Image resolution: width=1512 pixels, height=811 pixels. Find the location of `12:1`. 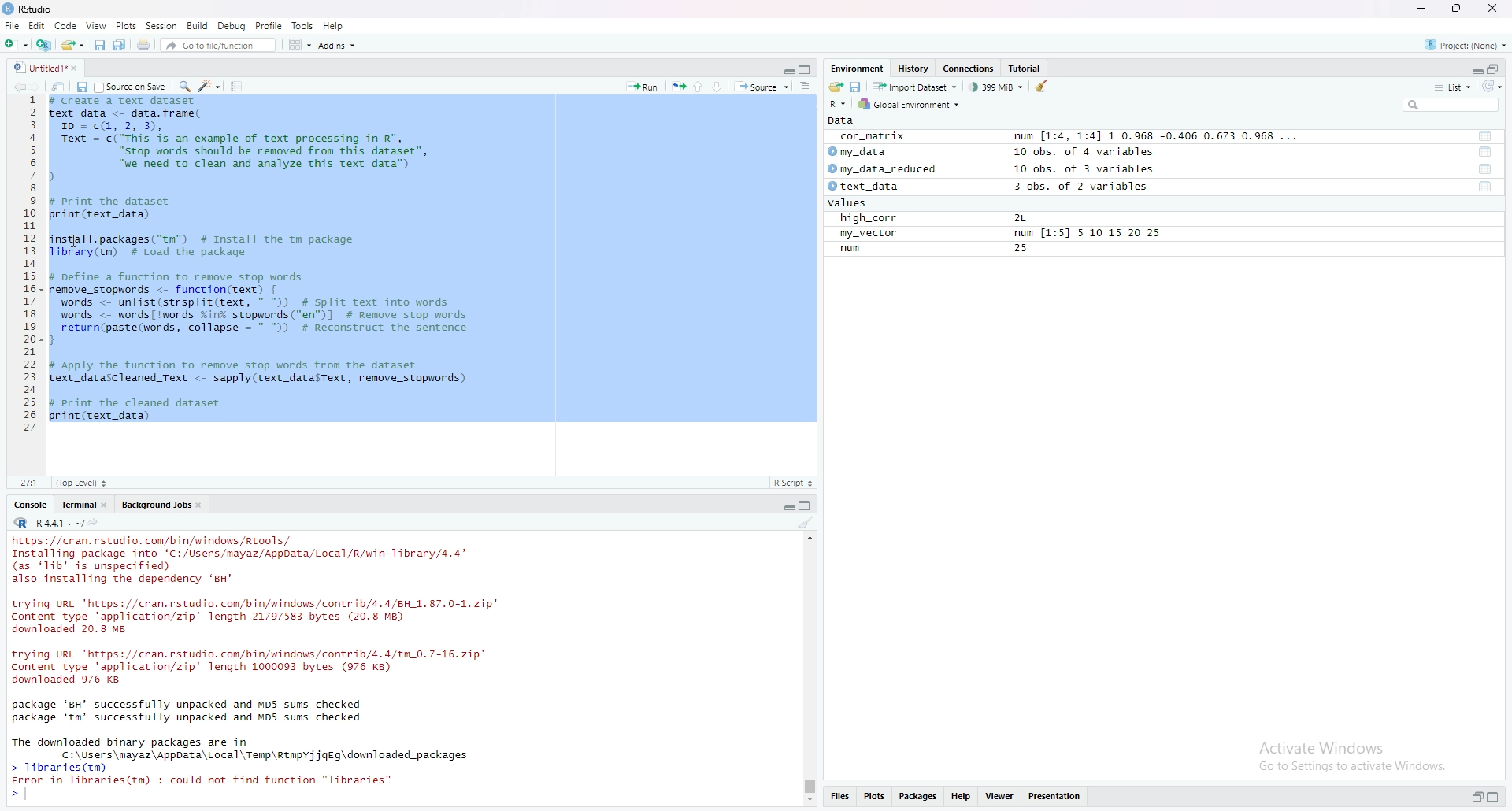

12:1 is located at coordinates (30, 483).